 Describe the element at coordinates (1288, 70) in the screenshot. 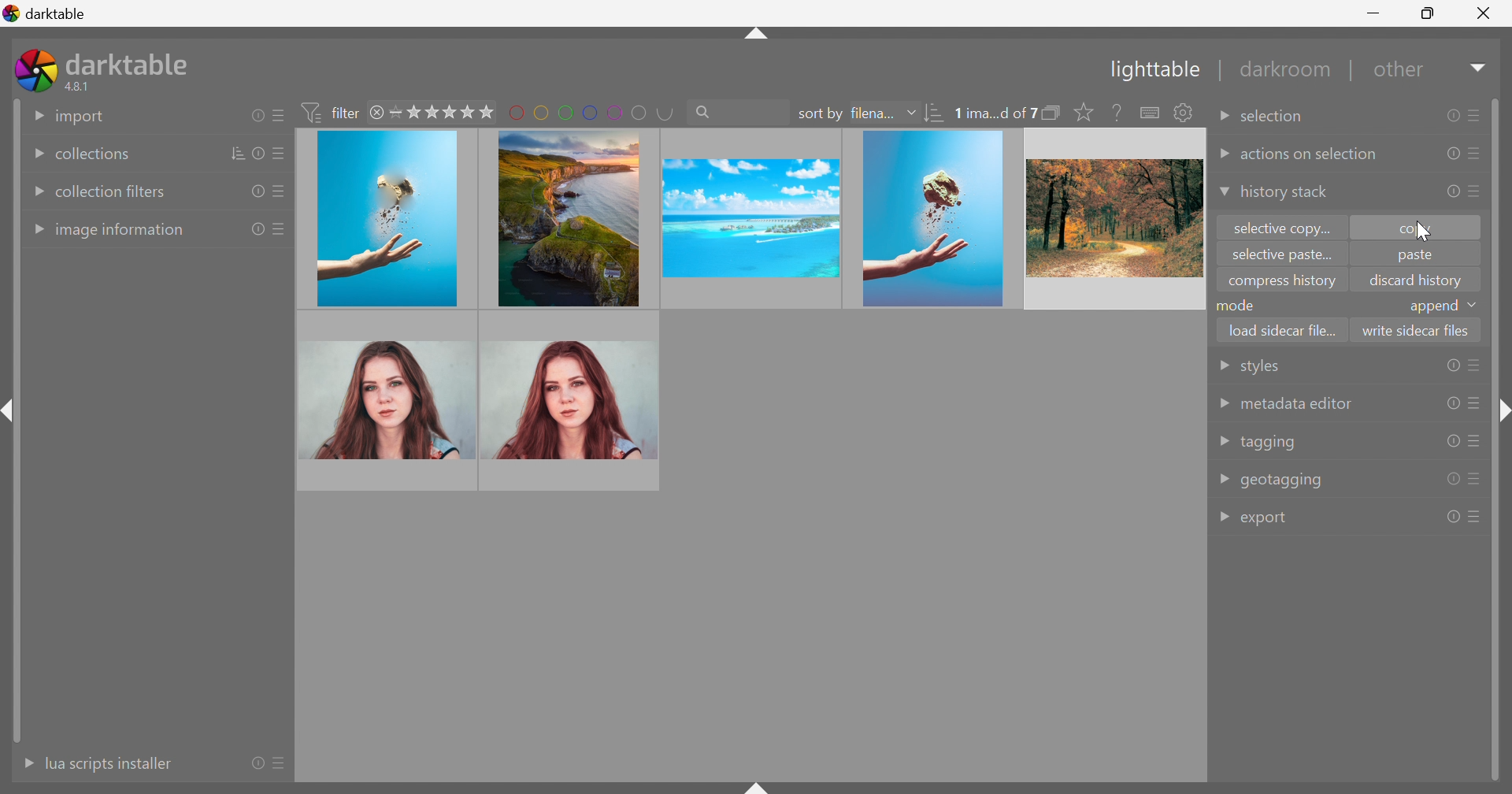

I see `darkroom` at that location.